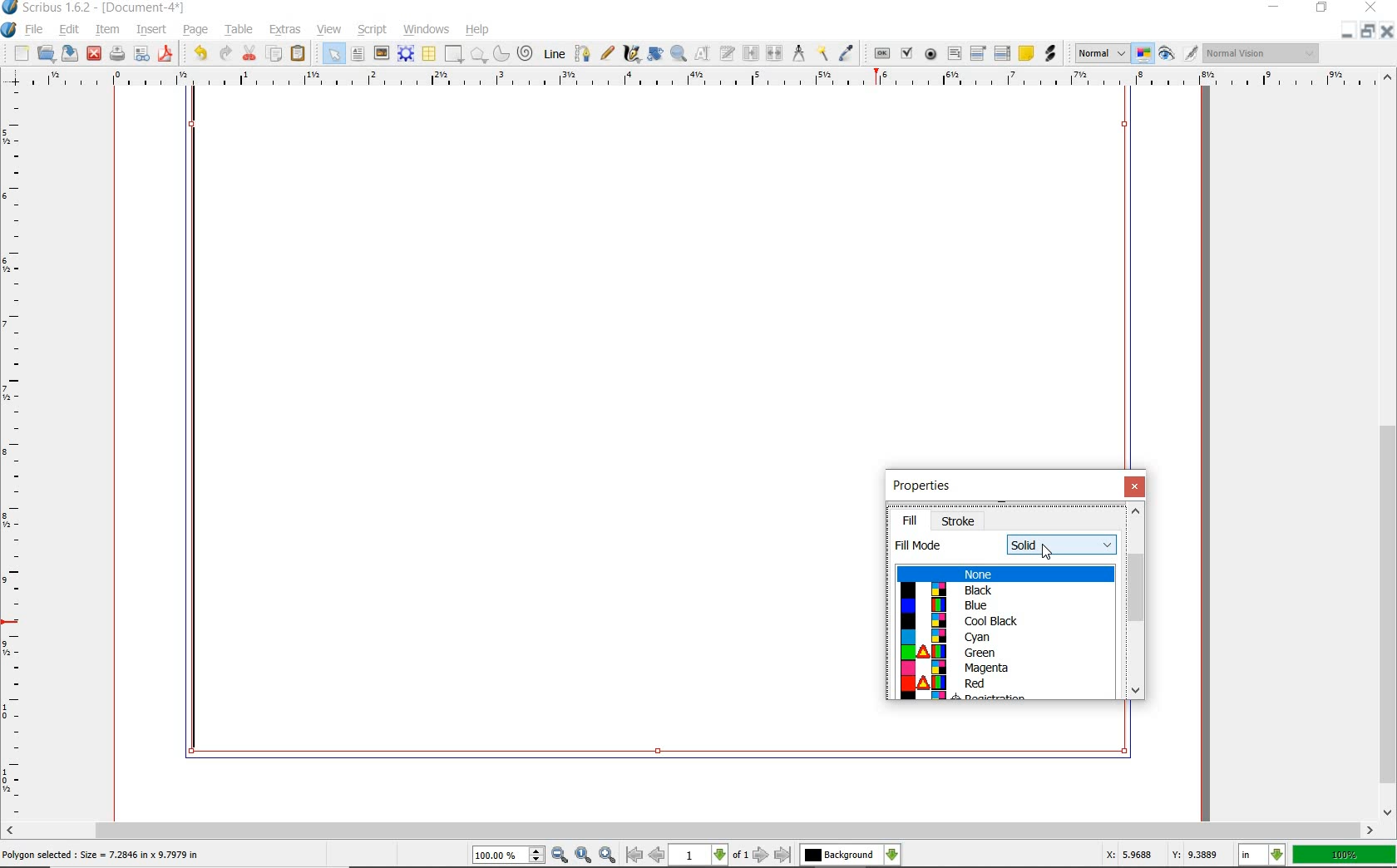 Image resolution: width=1397 pixels, height=868 pixels. I want to click on Background, so click(851, 856).